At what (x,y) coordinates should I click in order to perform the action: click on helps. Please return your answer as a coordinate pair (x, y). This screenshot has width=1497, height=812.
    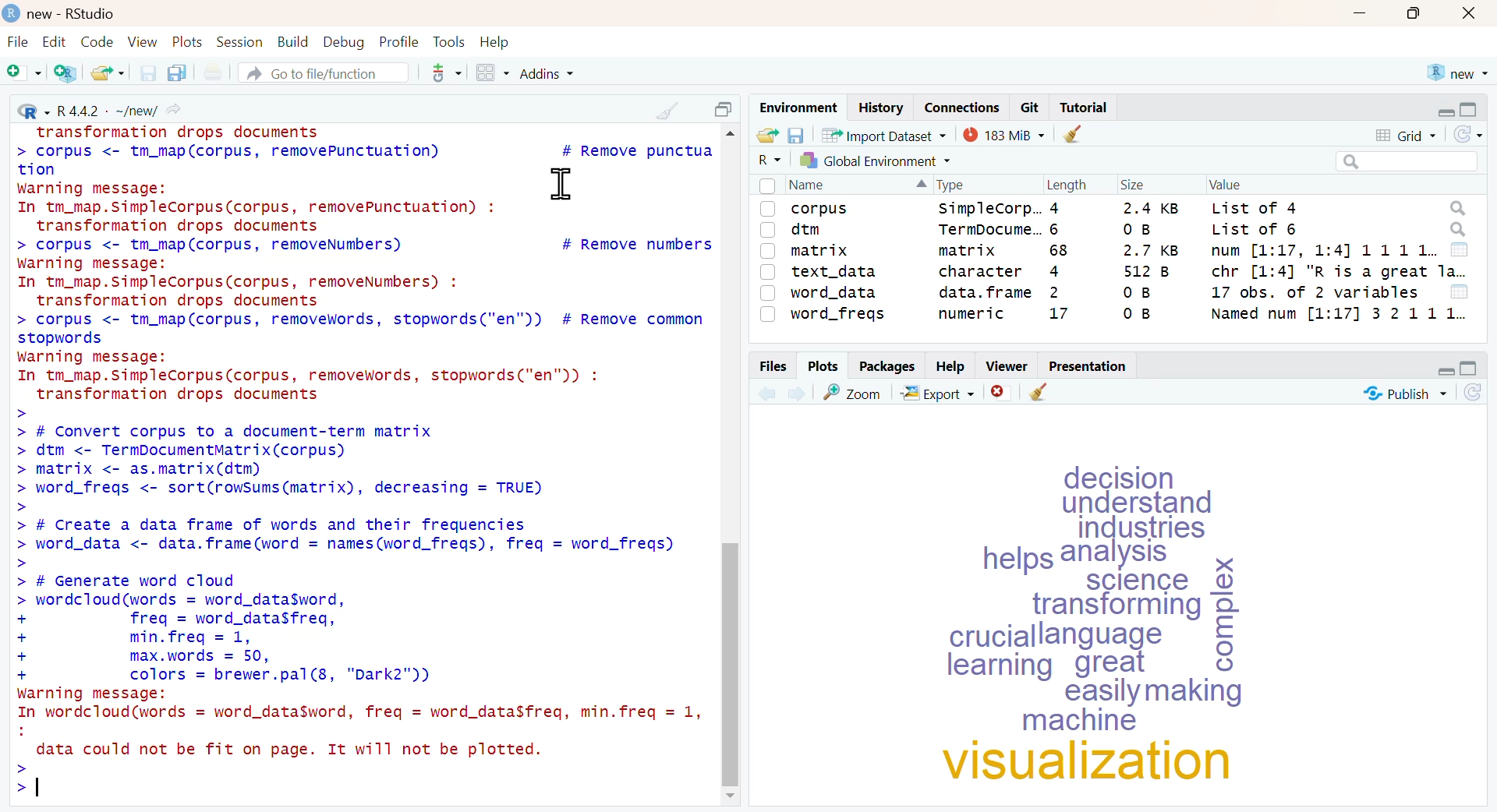
    Looking at the image, I should click on (1015, 561).